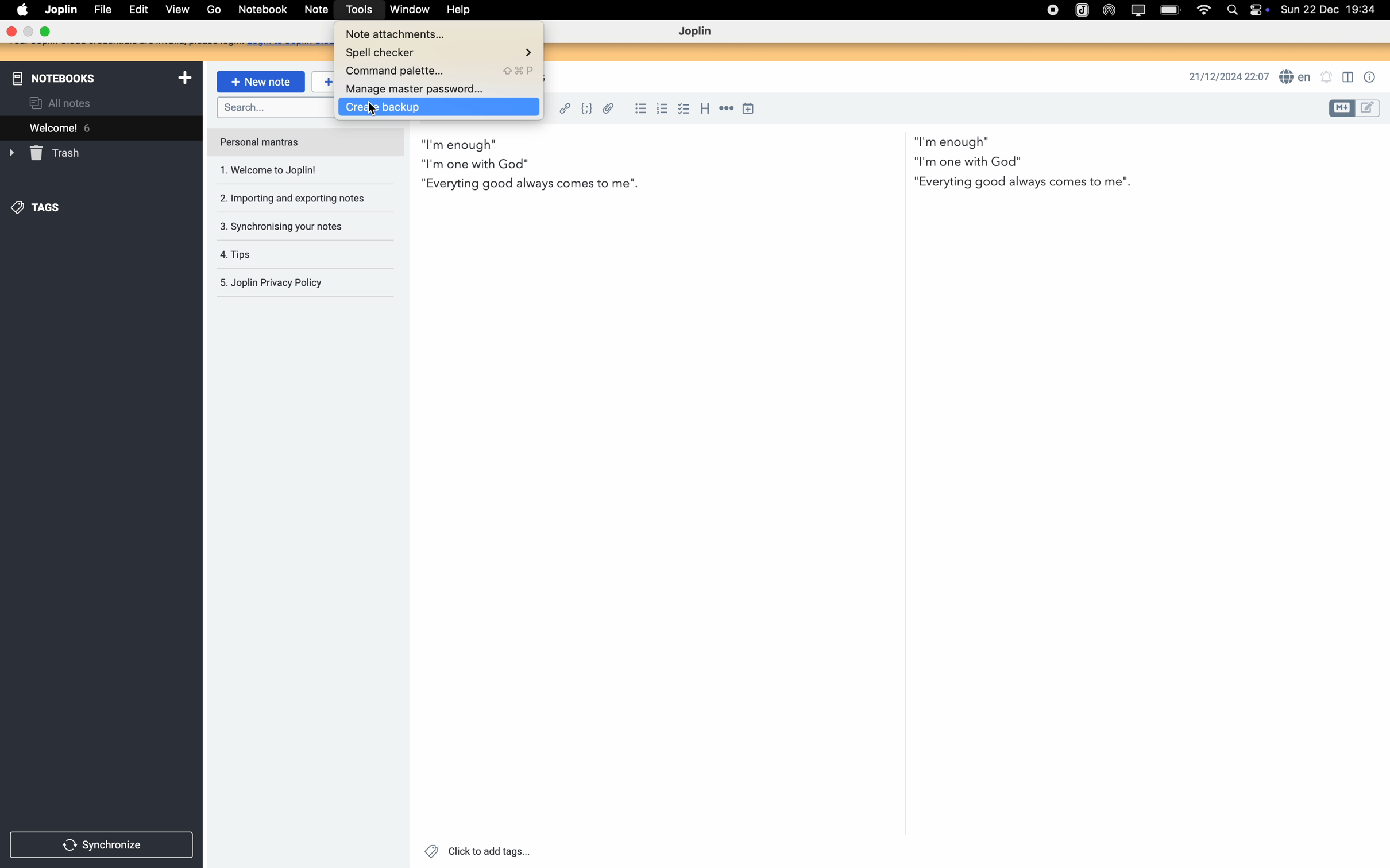  Describe the element at coordinates (262, 10) in the screenshot. I see `notebook` at that location.